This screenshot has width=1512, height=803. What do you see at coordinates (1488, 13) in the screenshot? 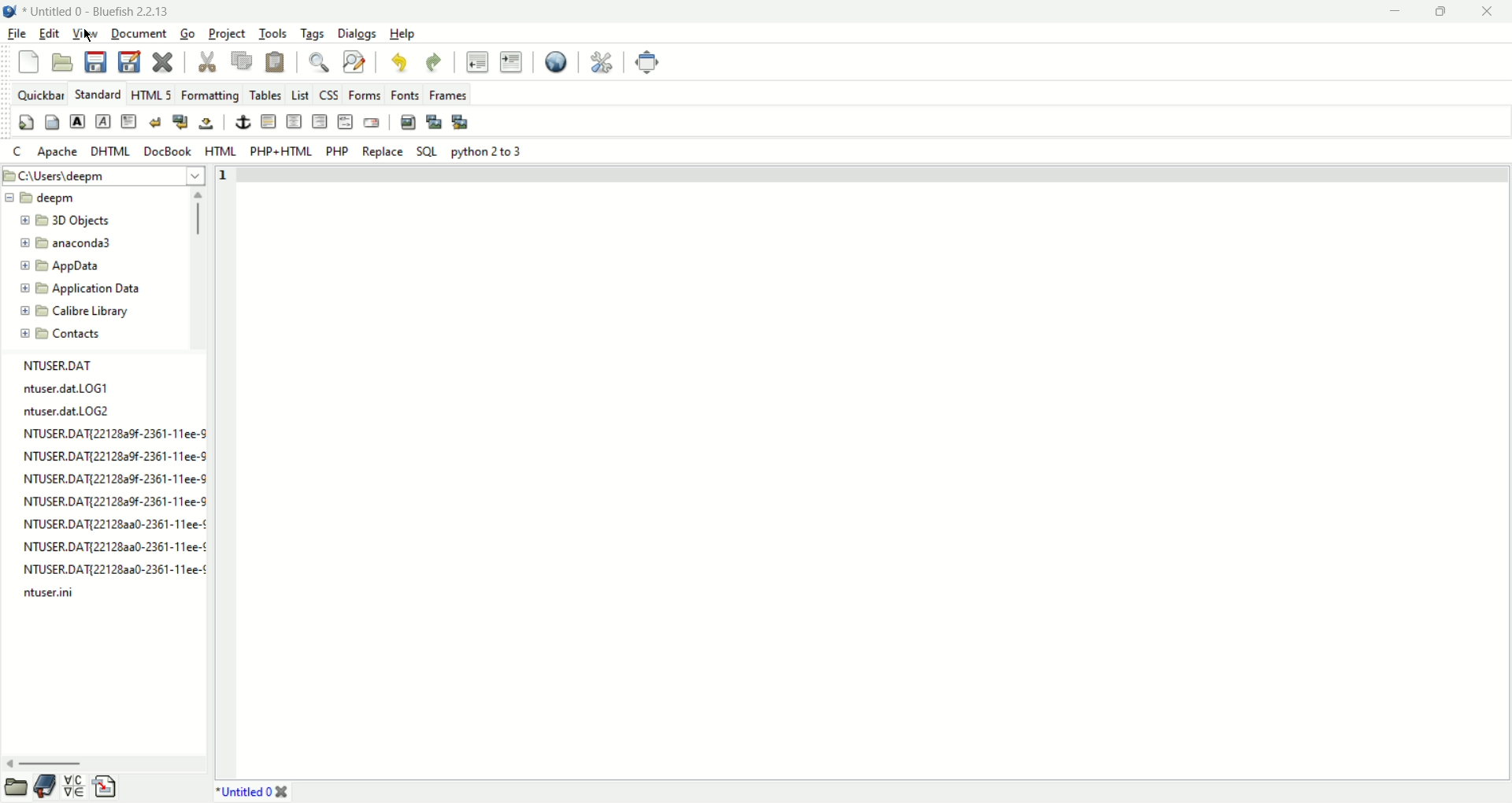
I see `close` at bounding box center [1488, 13].